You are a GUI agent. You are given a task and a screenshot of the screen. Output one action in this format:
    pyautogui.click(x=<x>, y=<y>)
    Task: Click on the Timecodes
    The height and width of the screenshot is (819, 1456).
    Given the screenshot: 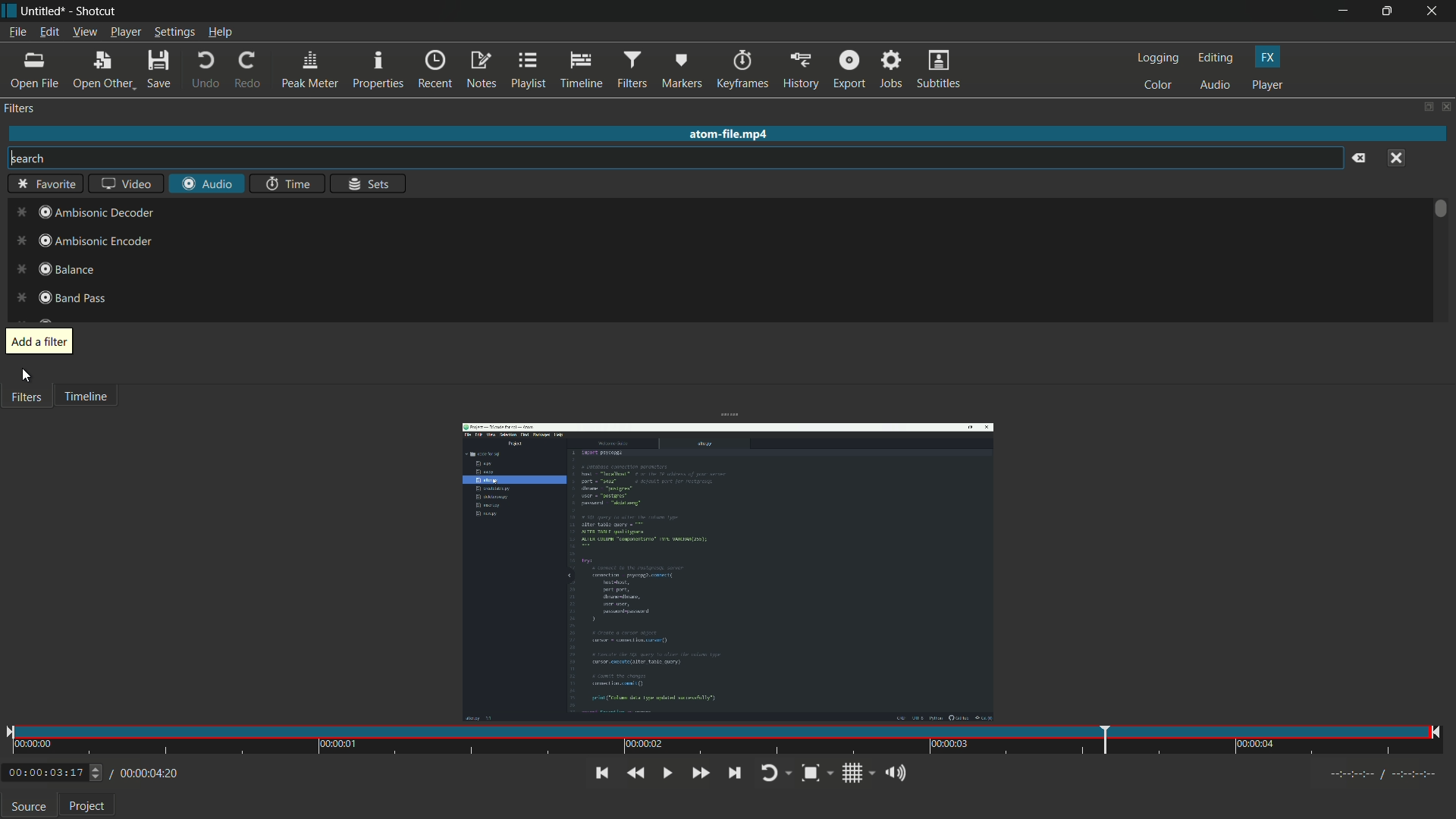 What is the action you would take?
    pyautogui.click(x=1373, y=773)
    